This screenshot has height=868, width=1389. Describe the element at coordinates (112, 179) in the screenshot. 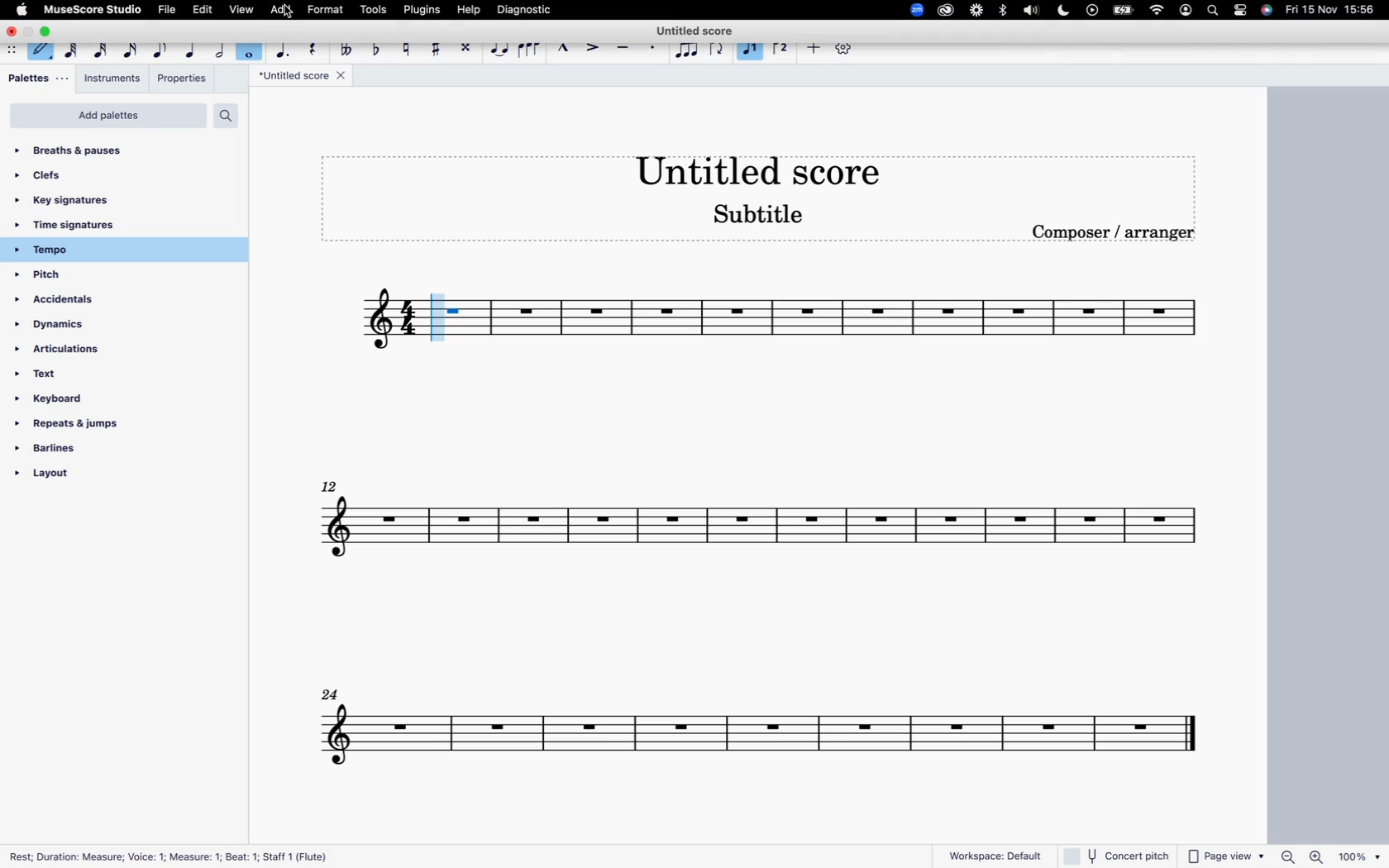

I see `clefs` at that location.